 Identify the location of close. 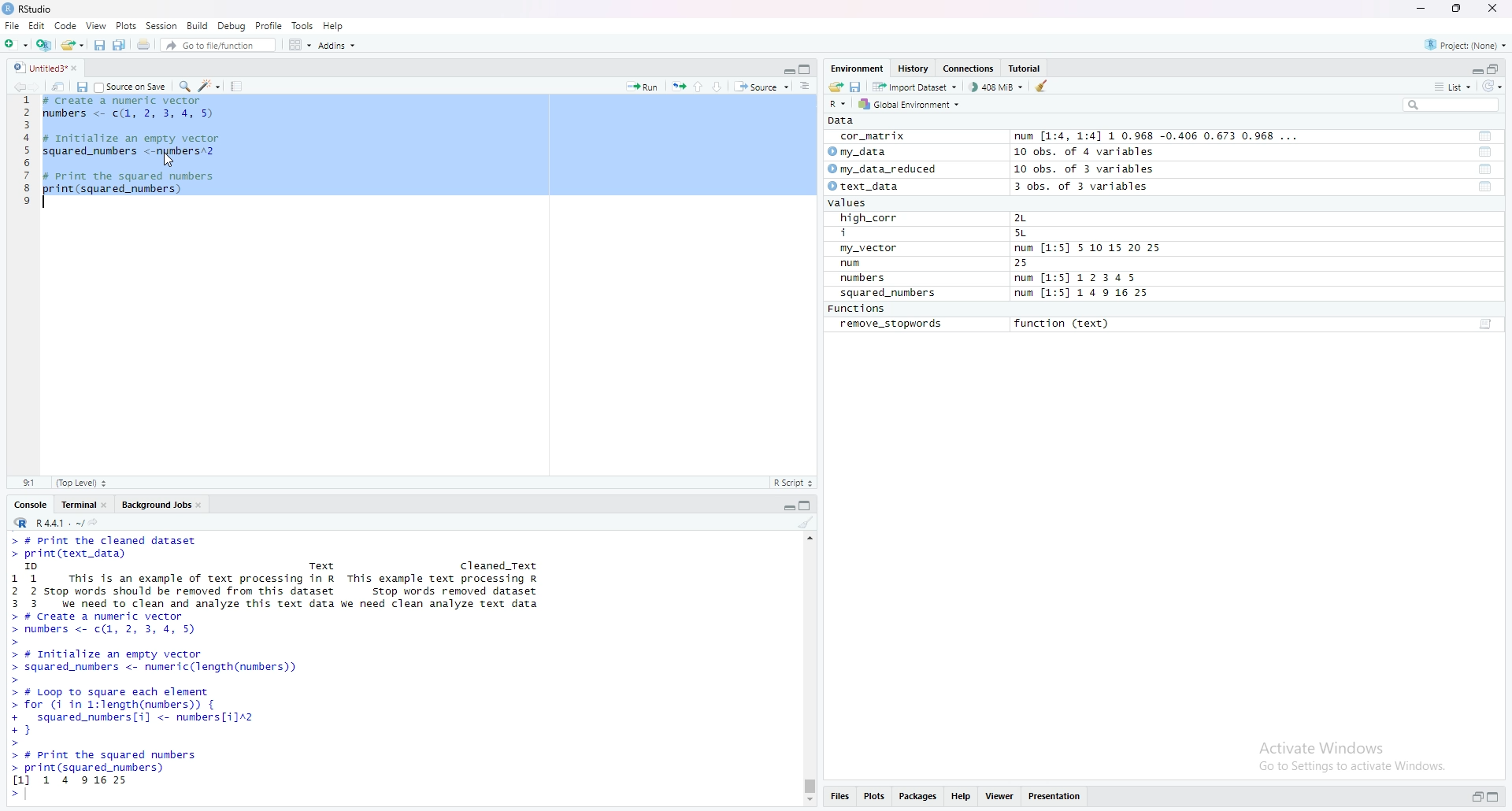
(202, 503).